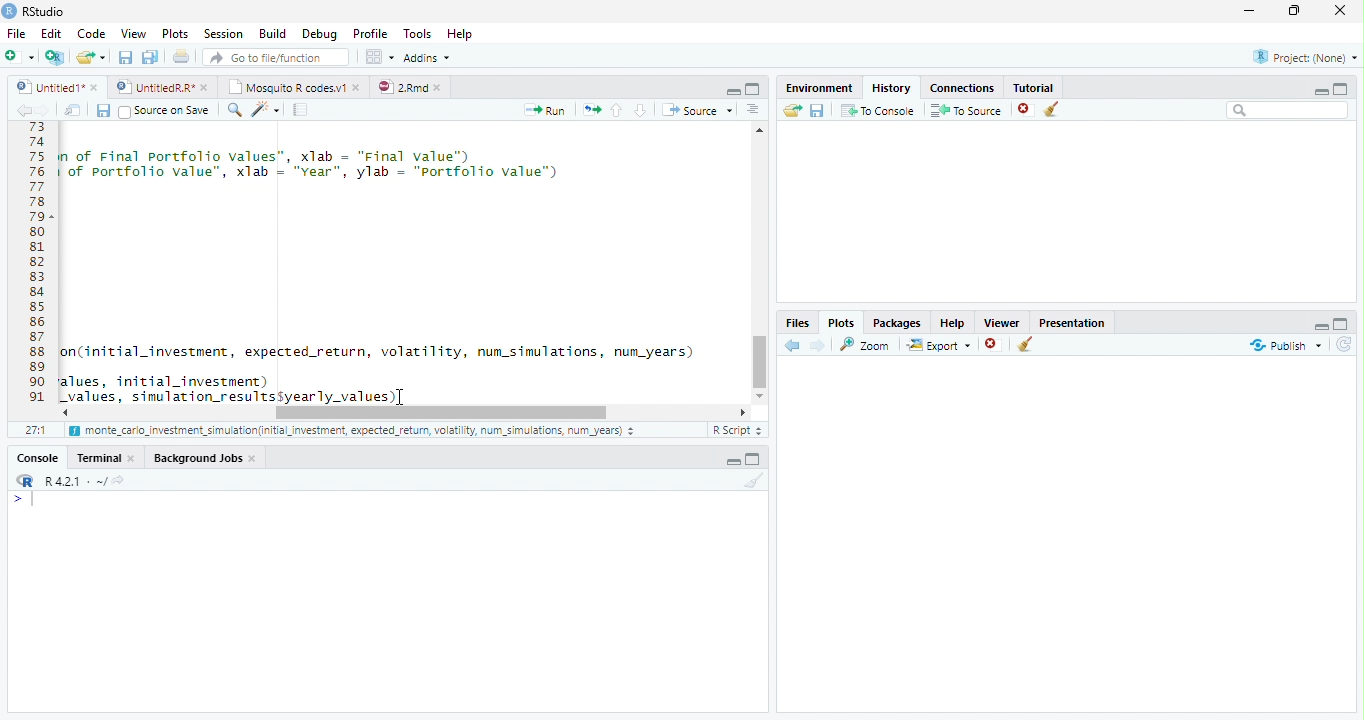 This screenshot has height=720, width=1364. I want to click on Code, so click(89, 33).